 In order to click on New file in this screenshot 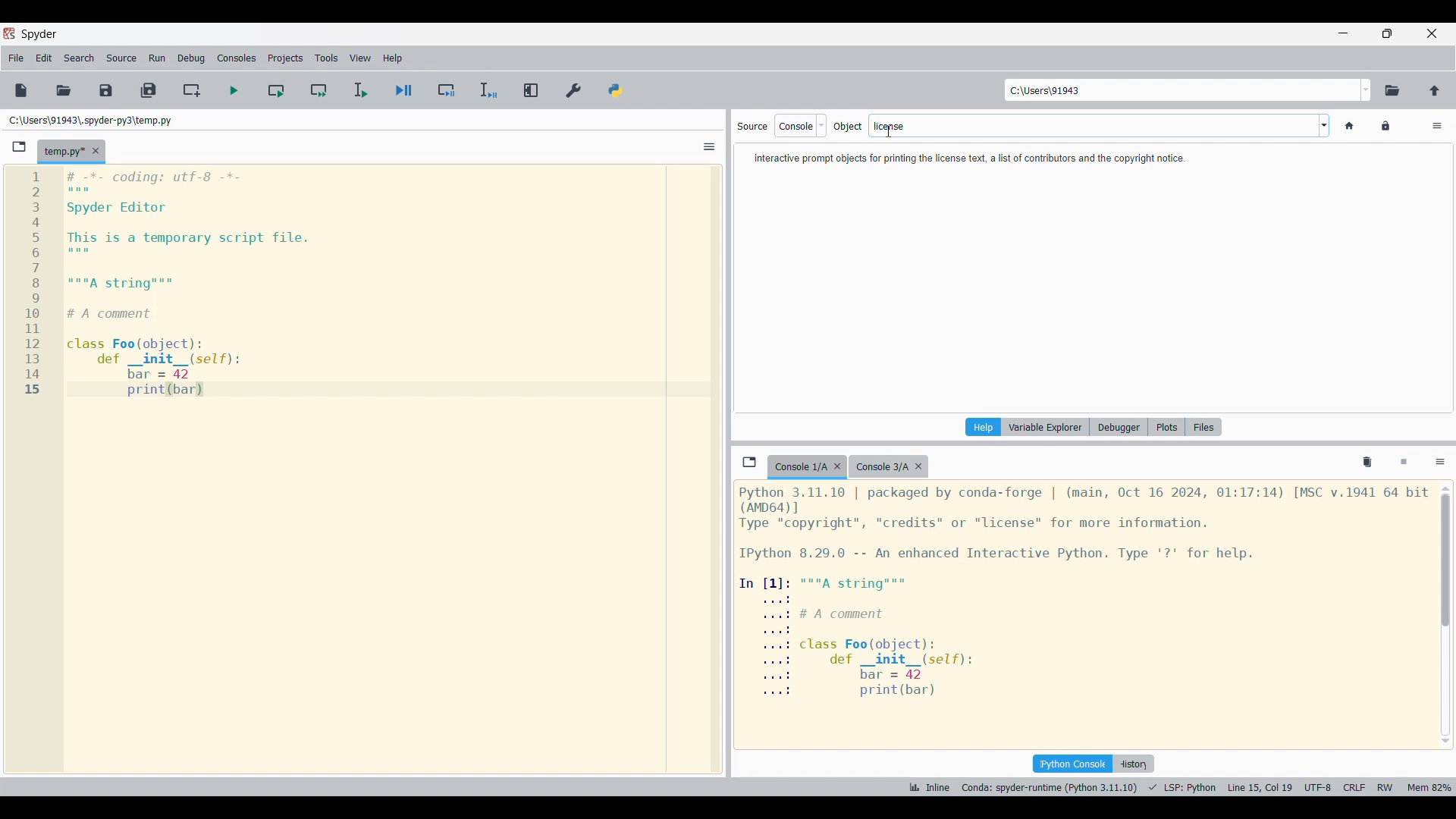, I will do `click(21, 90)`.